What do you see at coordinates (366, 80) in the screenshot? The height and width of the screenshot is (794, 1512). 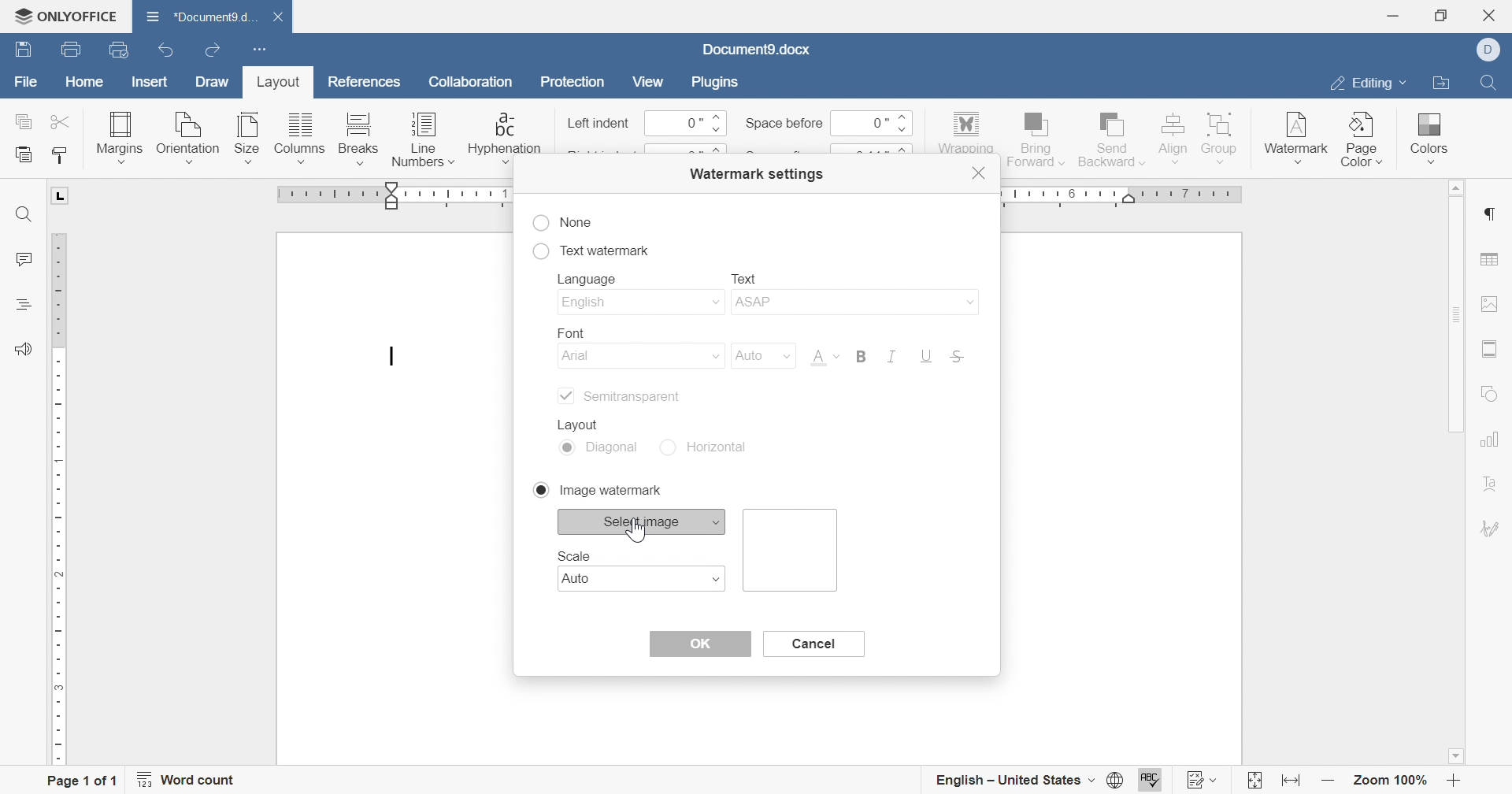 I see `references` at bounding box center [366, 80].